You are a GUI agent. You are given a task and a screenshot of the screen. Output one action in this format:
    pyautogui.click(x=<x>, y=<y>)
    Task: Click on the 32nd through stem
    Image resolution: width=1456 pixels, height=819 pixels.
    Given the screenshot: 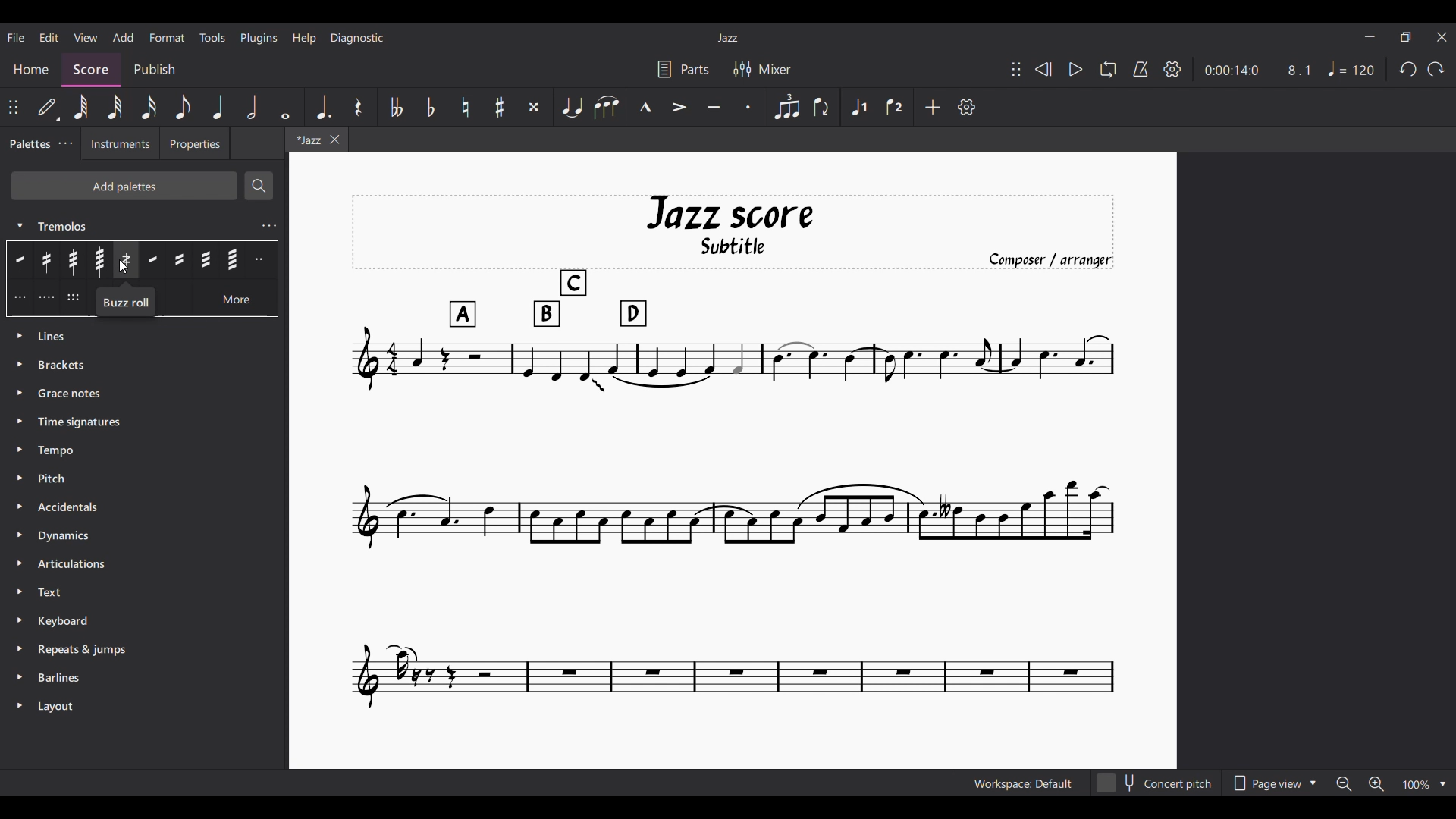 What is the action you would take?
    pyautogui.click(x=73, y=260)
    